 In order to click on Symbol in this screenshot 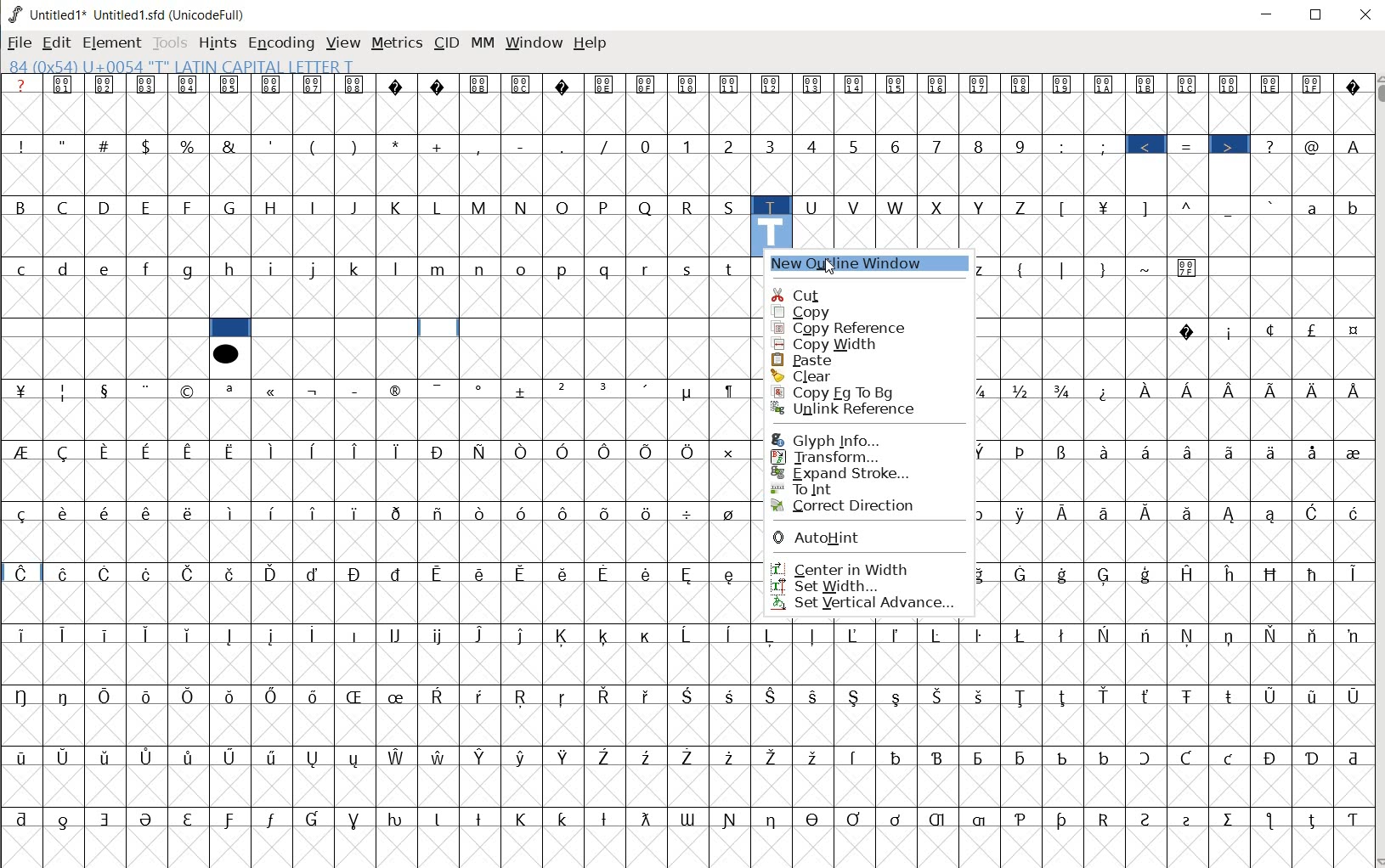, I will do `click(1192, 817)`.